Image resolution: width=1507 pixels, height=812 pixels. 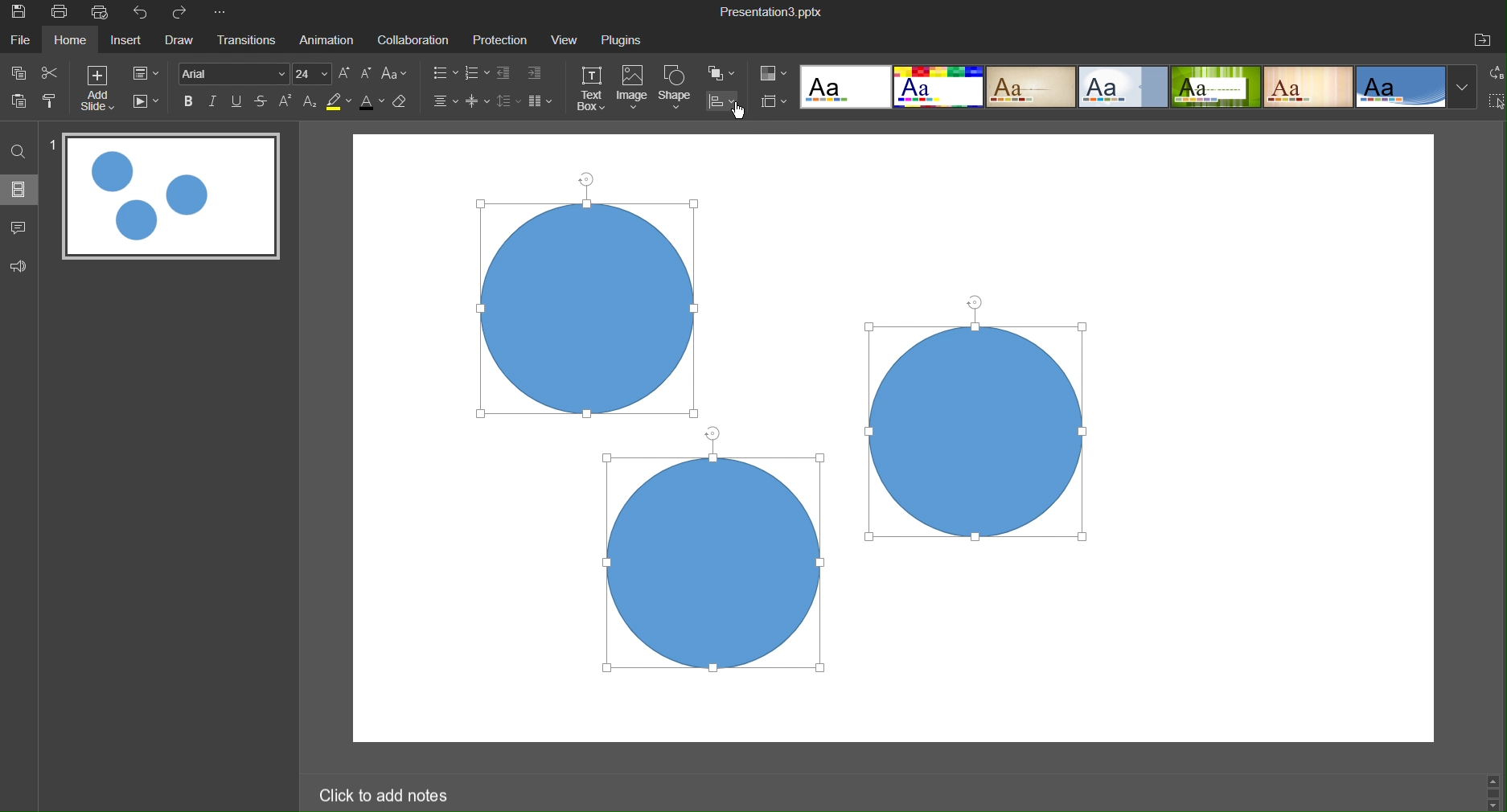 What do you see at coordinates (507, 101) in the screenshot?
I see `Line Spacing` at bounding box center [507, 101].